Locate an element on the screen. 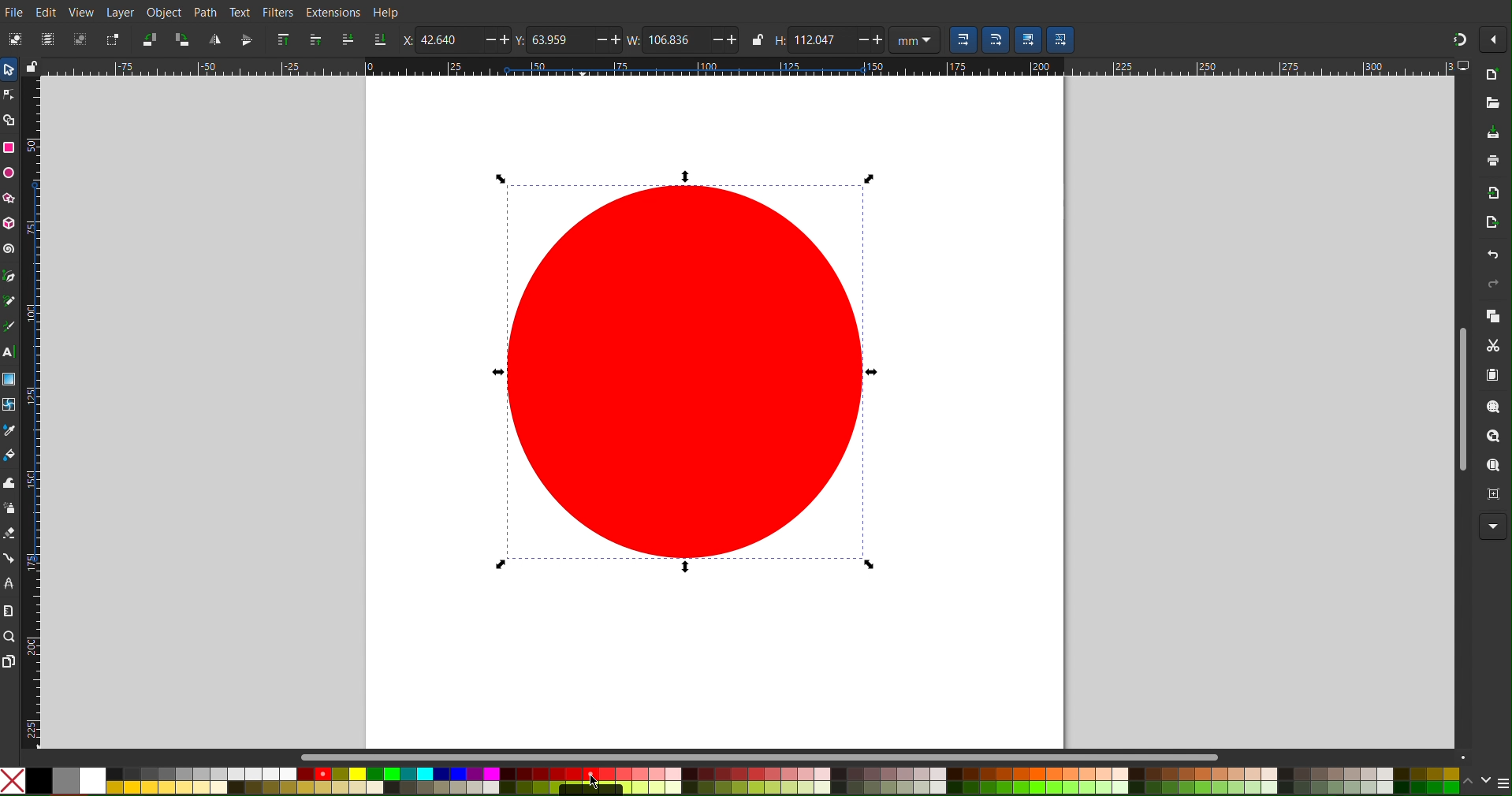 This screenshot has height=796, width=1512. increase/decrease is located at coordinates (870, 39).